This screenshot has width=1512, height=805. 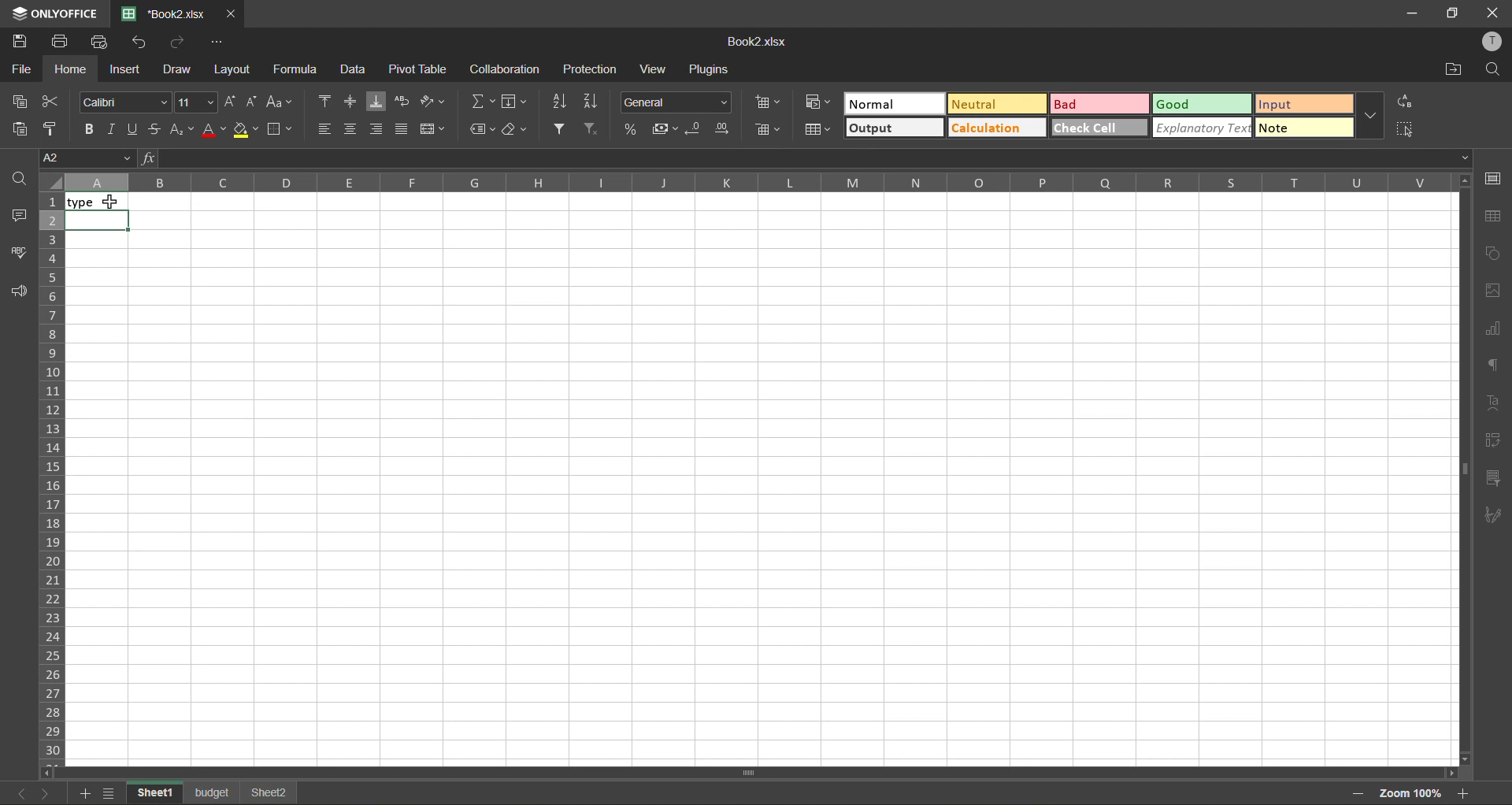 What do you see at coordinates (1304, 103) in the screenshot?
I see `input` at bounding box center [1304, 103].